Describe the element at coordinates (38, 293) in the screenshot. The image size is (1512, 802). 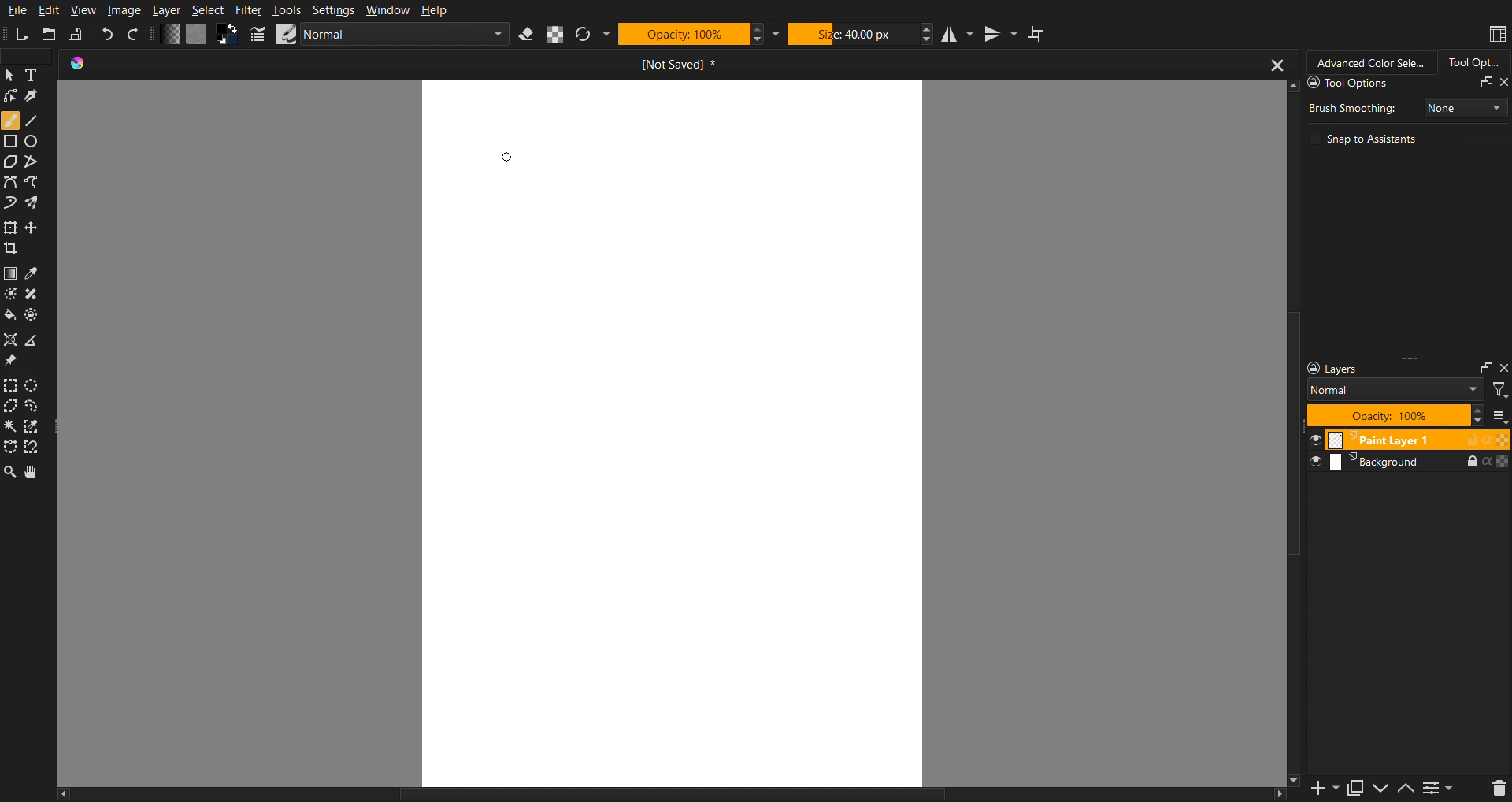
I see `Blemish Fix` at that location.